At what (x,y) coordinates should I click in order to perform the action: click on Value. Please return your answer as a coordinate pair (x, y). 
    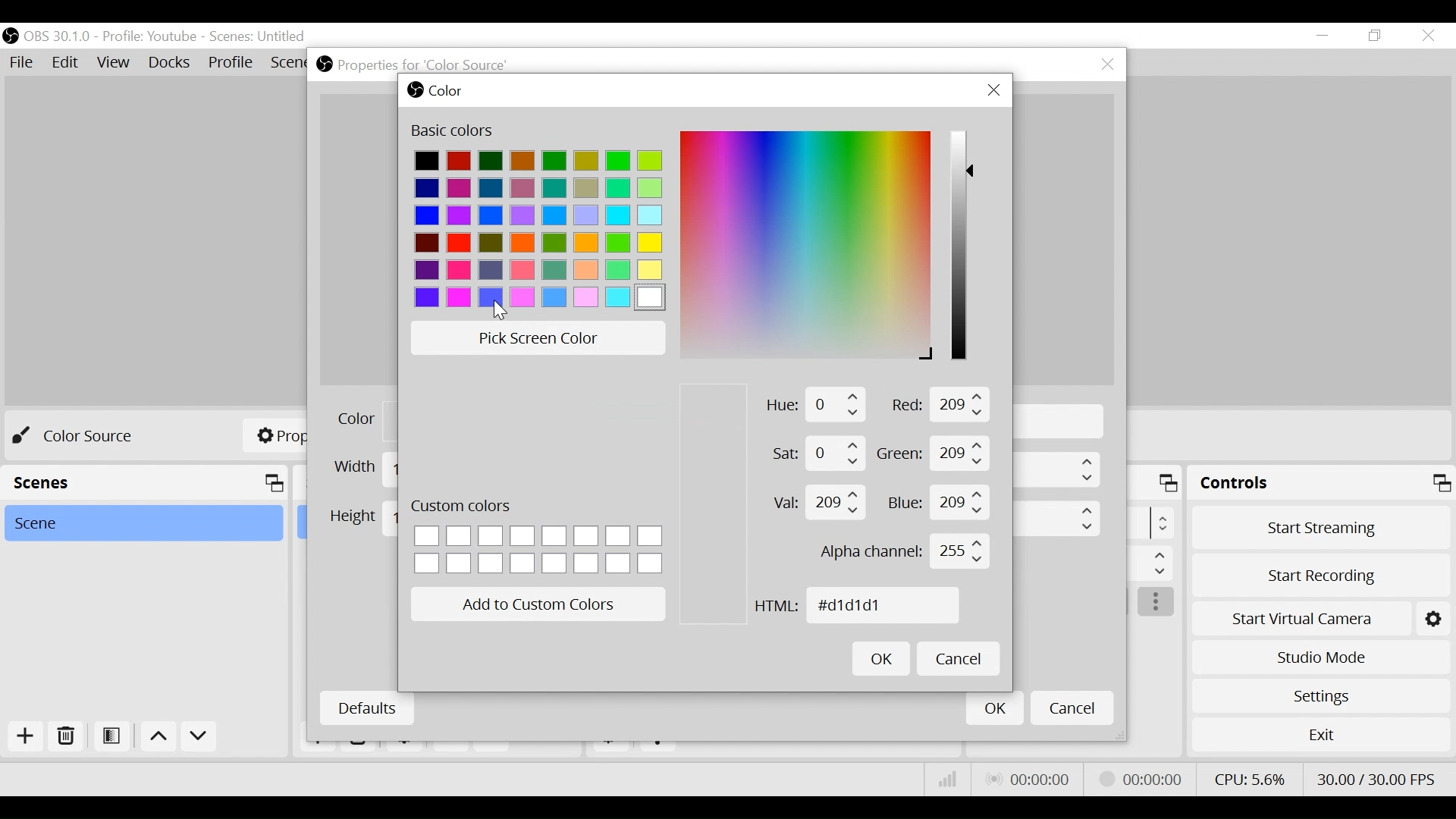
    Looking at the image, I should click on (820, 502).